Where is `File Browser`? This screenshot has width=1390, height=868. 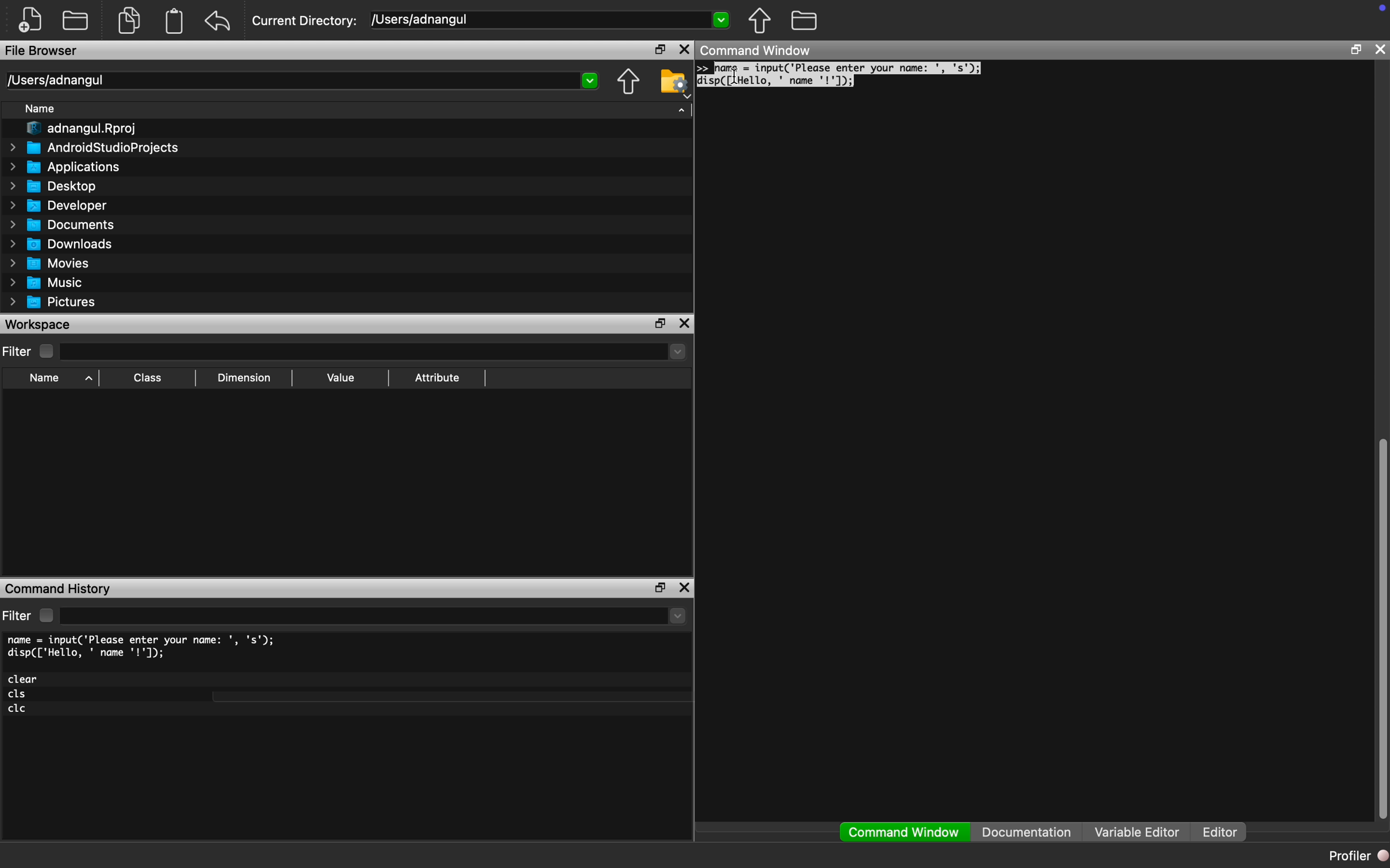
File Browser is located at coordinates (42, 50).